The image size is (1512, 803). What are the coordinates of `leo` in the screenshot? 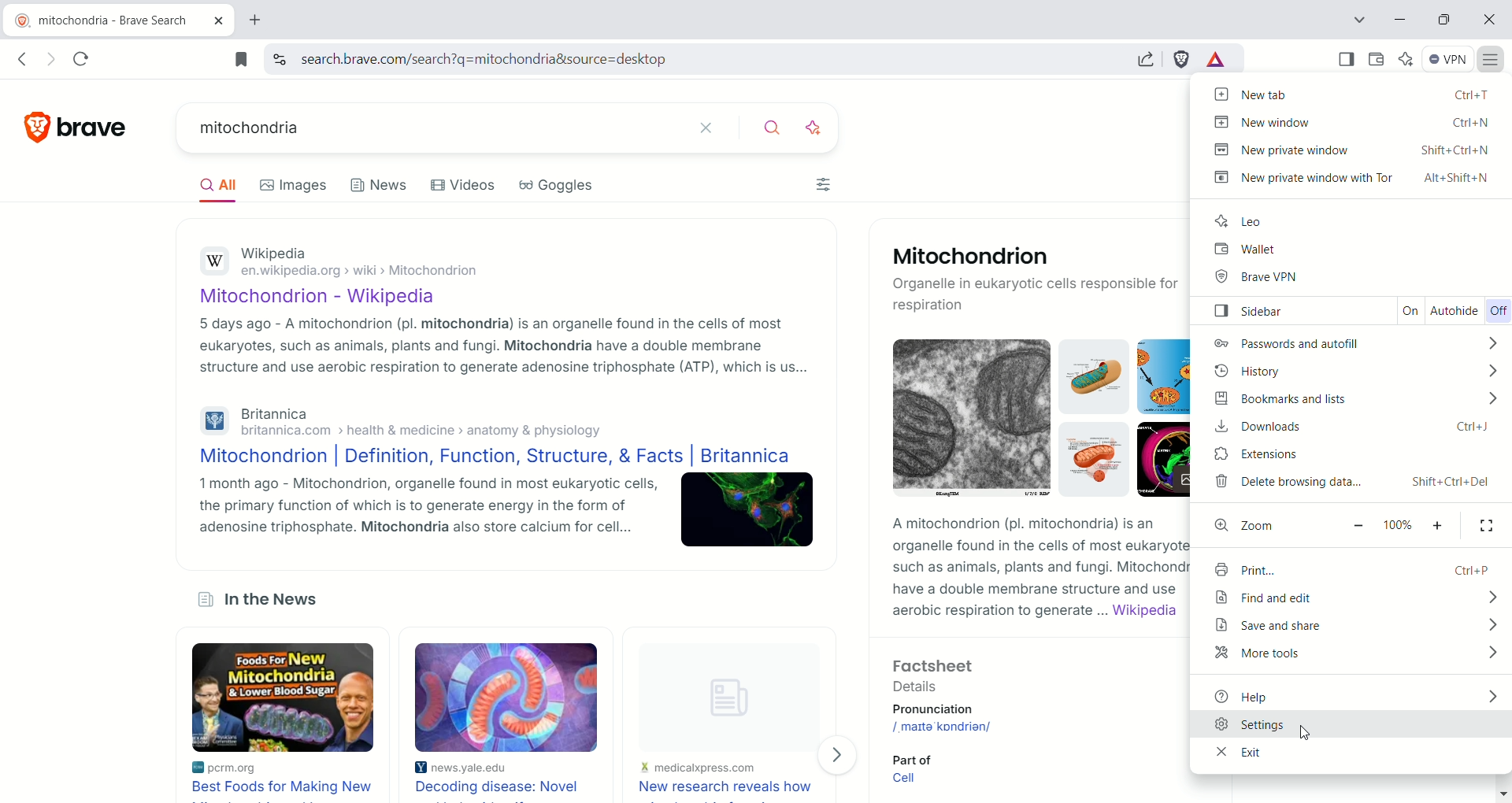 It's located at (1354, 216).